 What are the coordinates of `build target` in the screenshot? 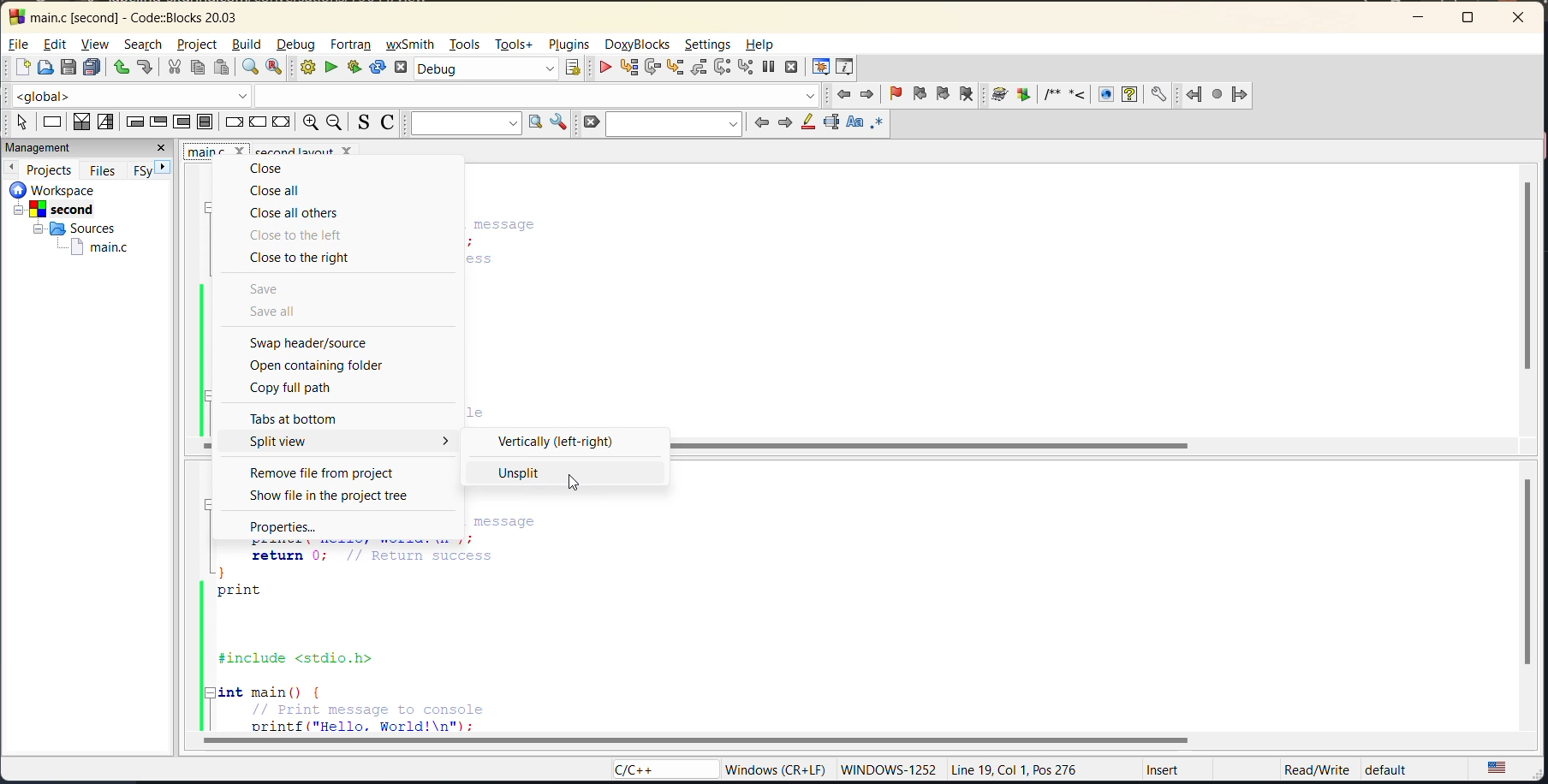 It's located at (487, 70).